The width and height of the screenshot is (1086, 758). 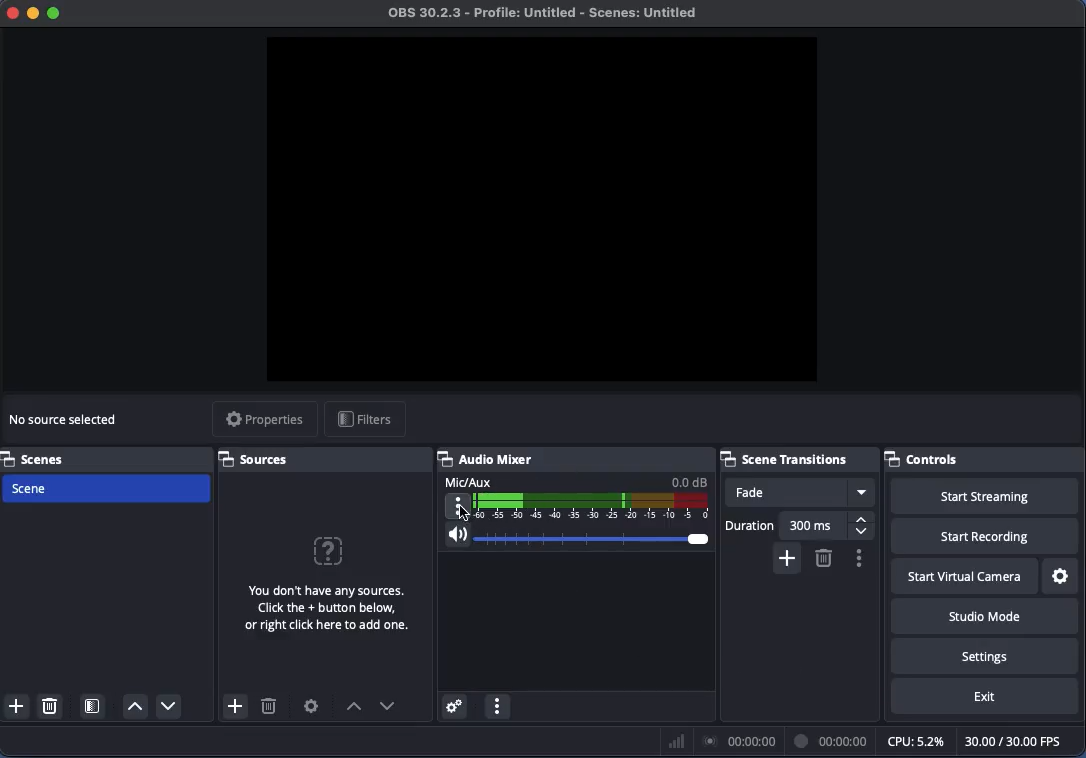 I want to click on Studio mode, so click(x=981, y=616).